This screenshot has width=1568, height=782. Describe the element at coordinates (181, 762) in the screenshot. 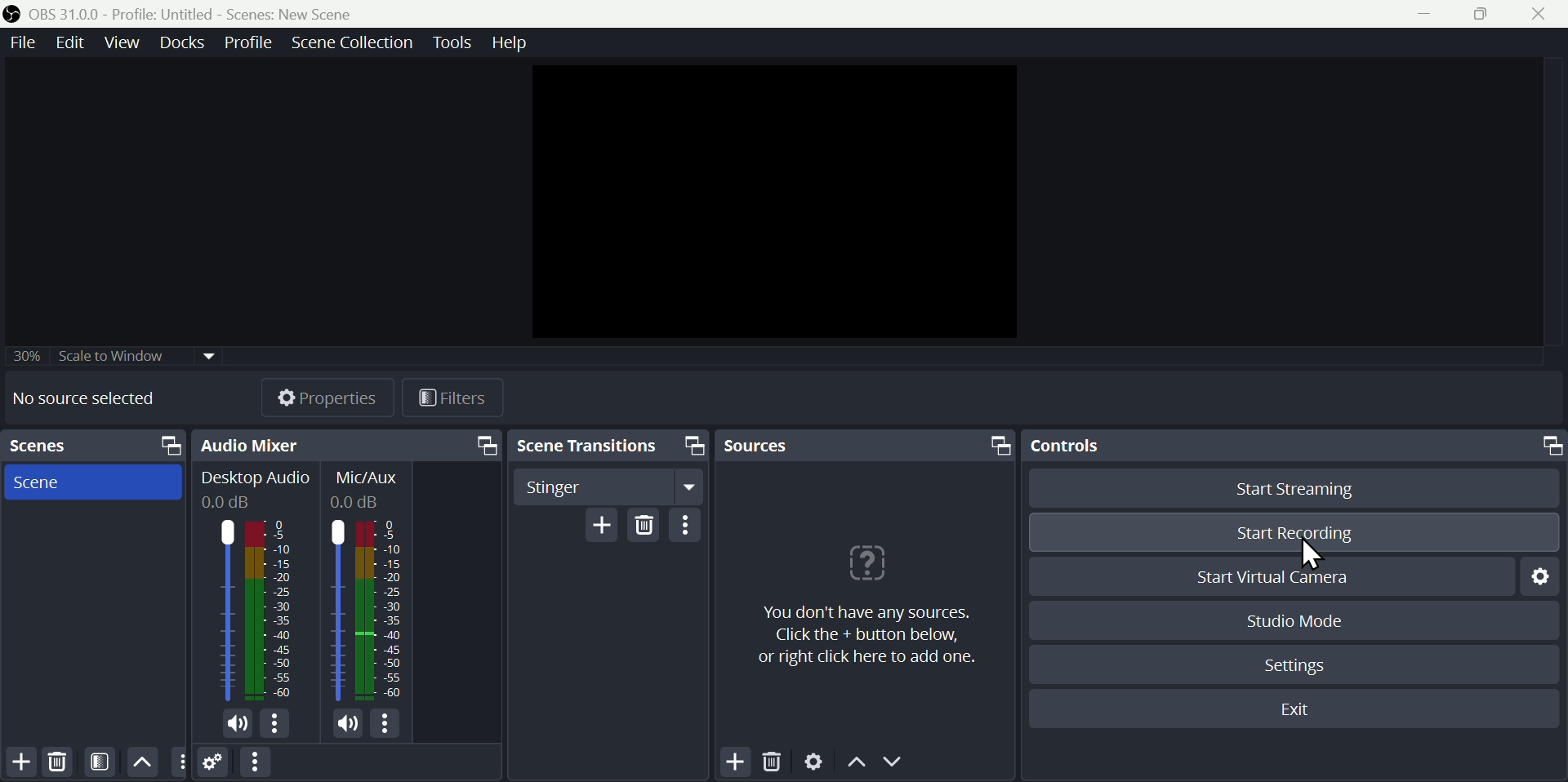

I see `More options` at that location.